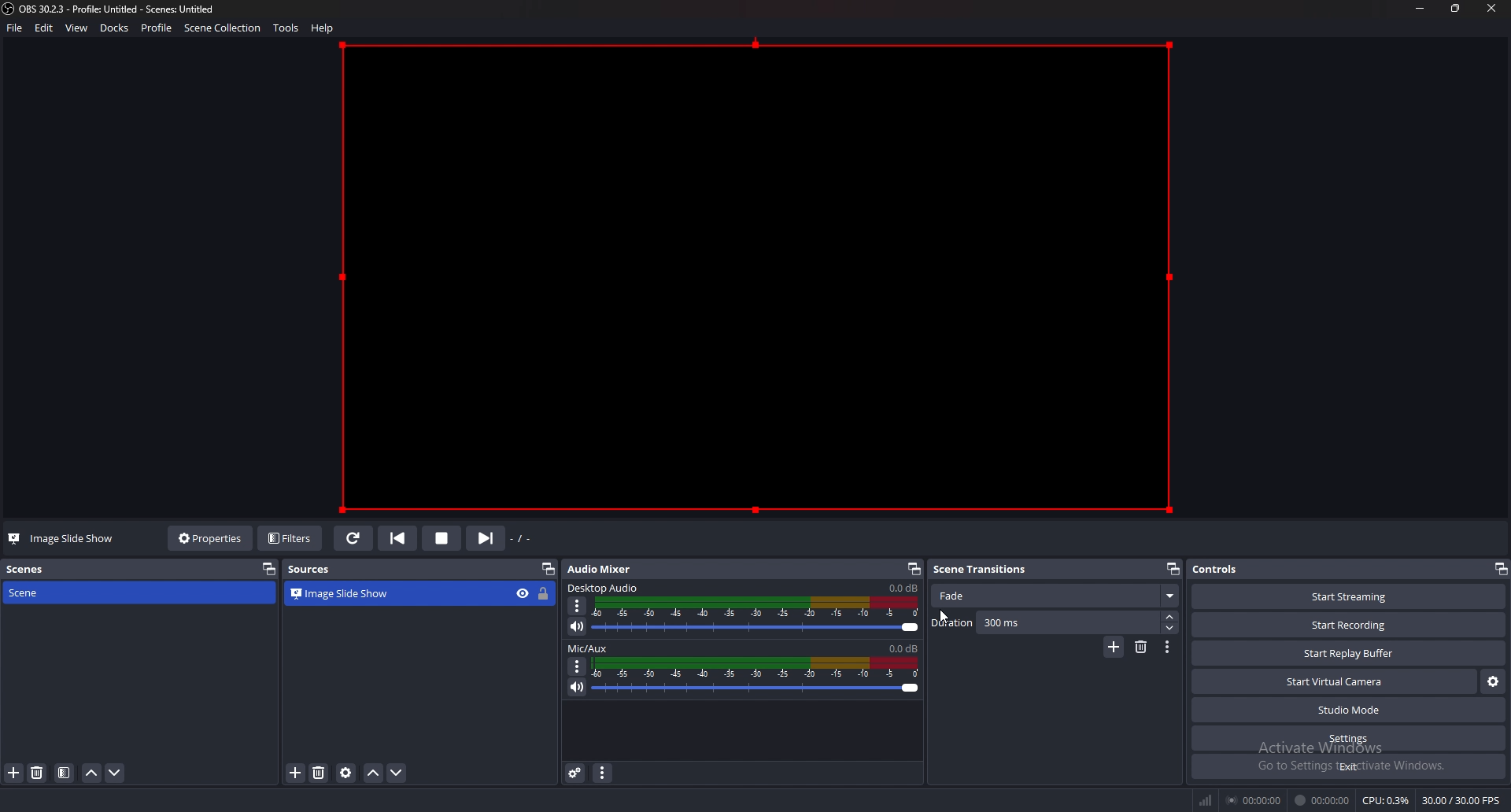 Image resolution: width=1511 pixels, height=812 pixels. What do you see at coordinates (756, 615) in the screenshot?
I see `volume adjust` at bounding box center [756, 615].